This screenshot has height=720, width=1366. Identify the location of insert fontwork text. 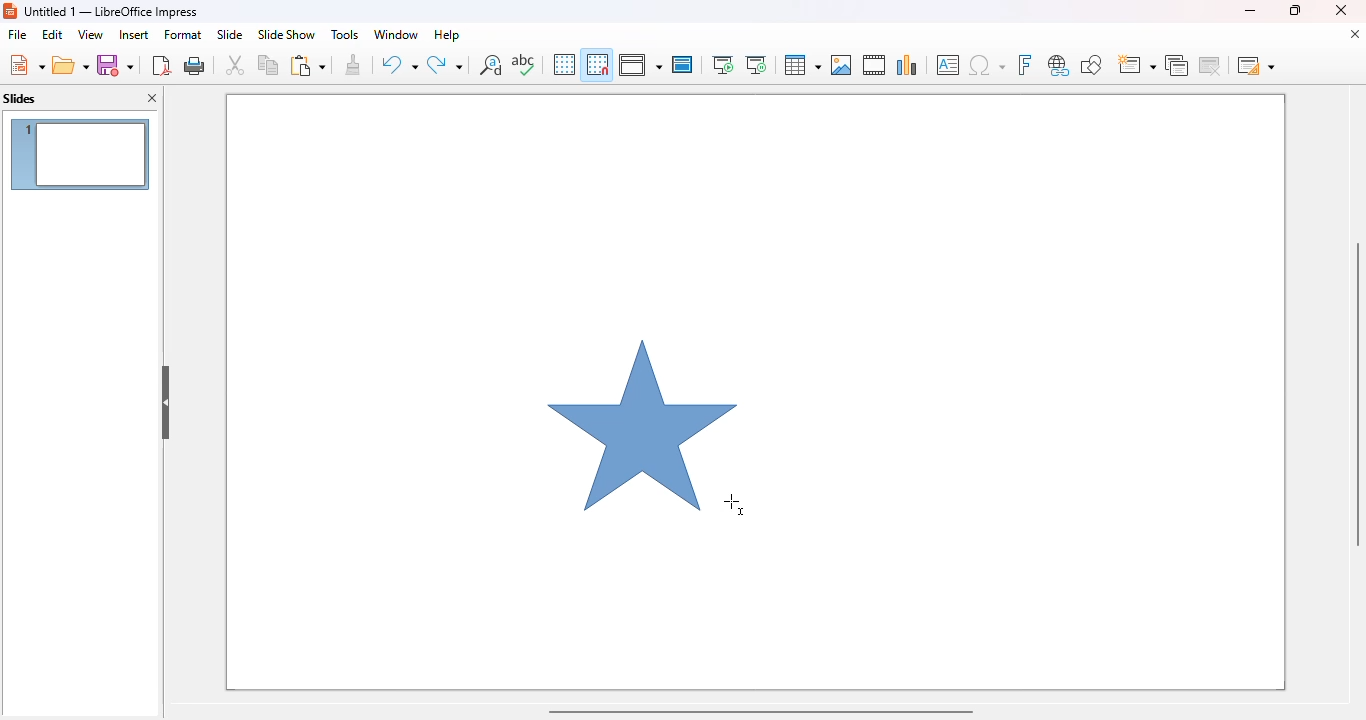
(1024, 64).